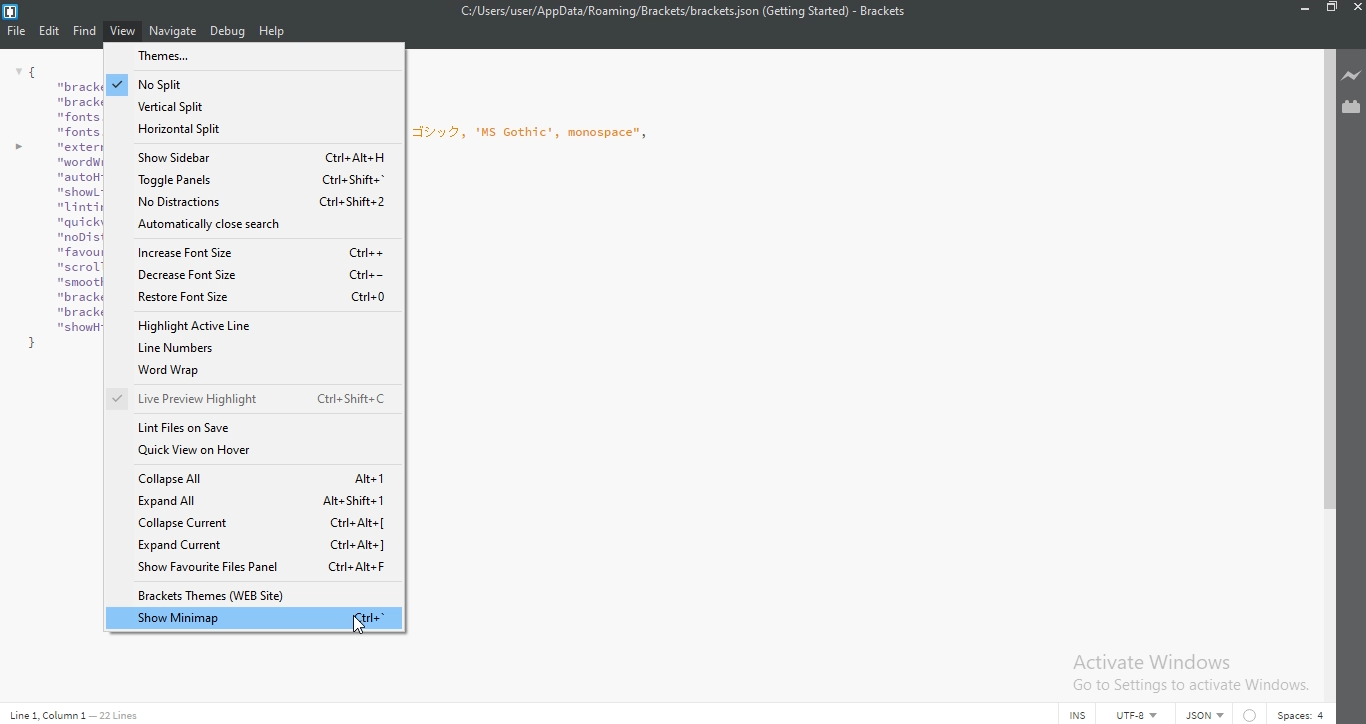 The width and height of the screenshot is (1366, 724). I want to click on Toggle panels, so click(248, 179).